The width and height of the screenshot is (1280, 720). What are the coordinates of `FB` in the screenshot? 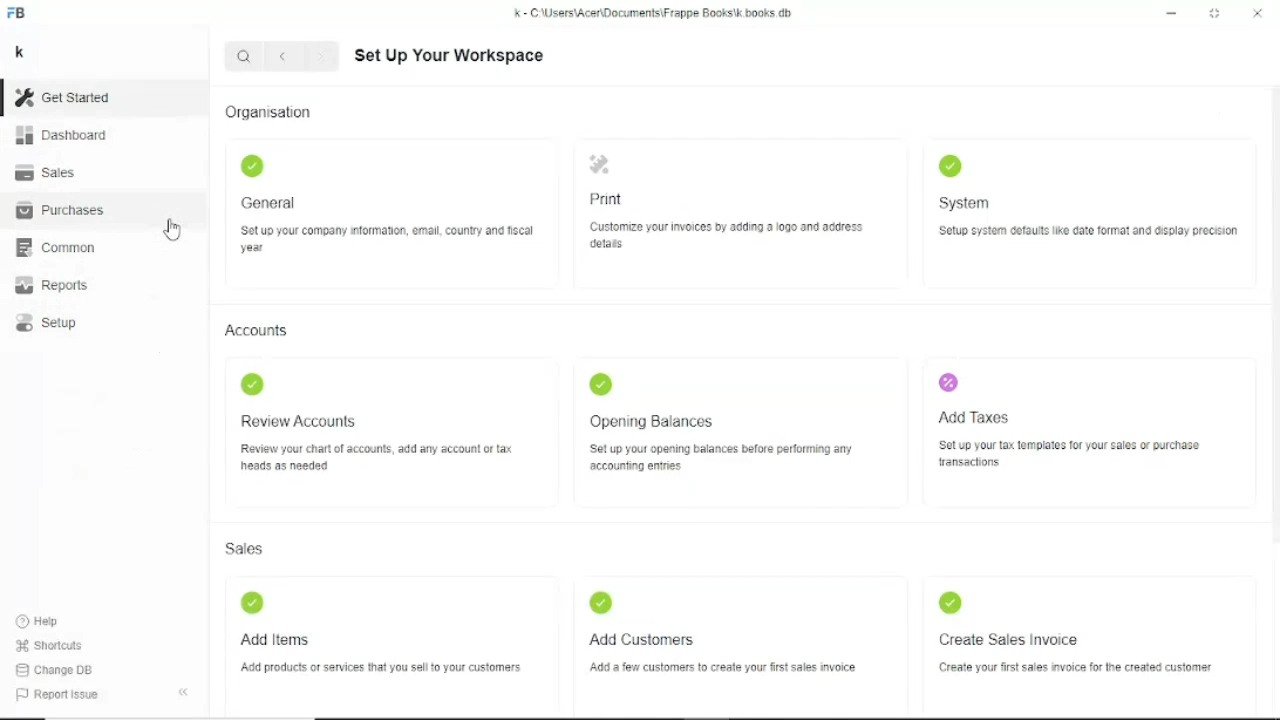 It's located at (18, 12).